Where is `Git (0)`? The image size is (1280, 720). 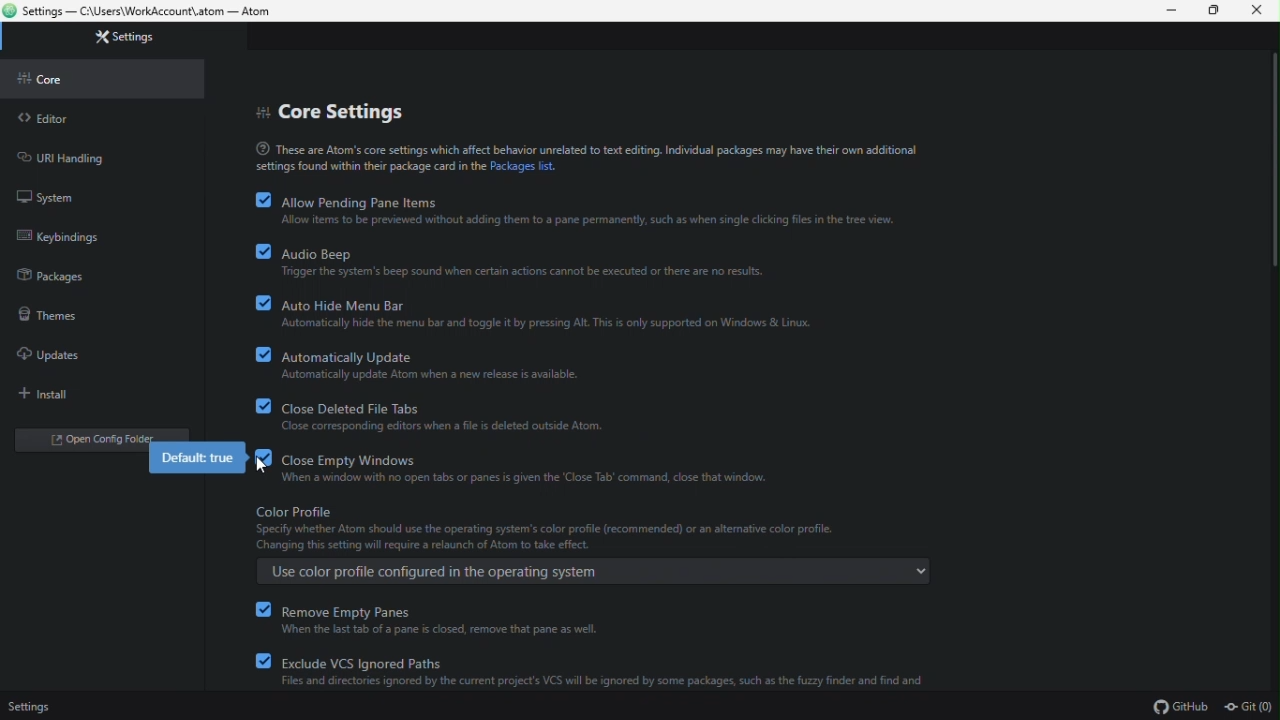 Git (0) is located at coordinates (1248, 707).